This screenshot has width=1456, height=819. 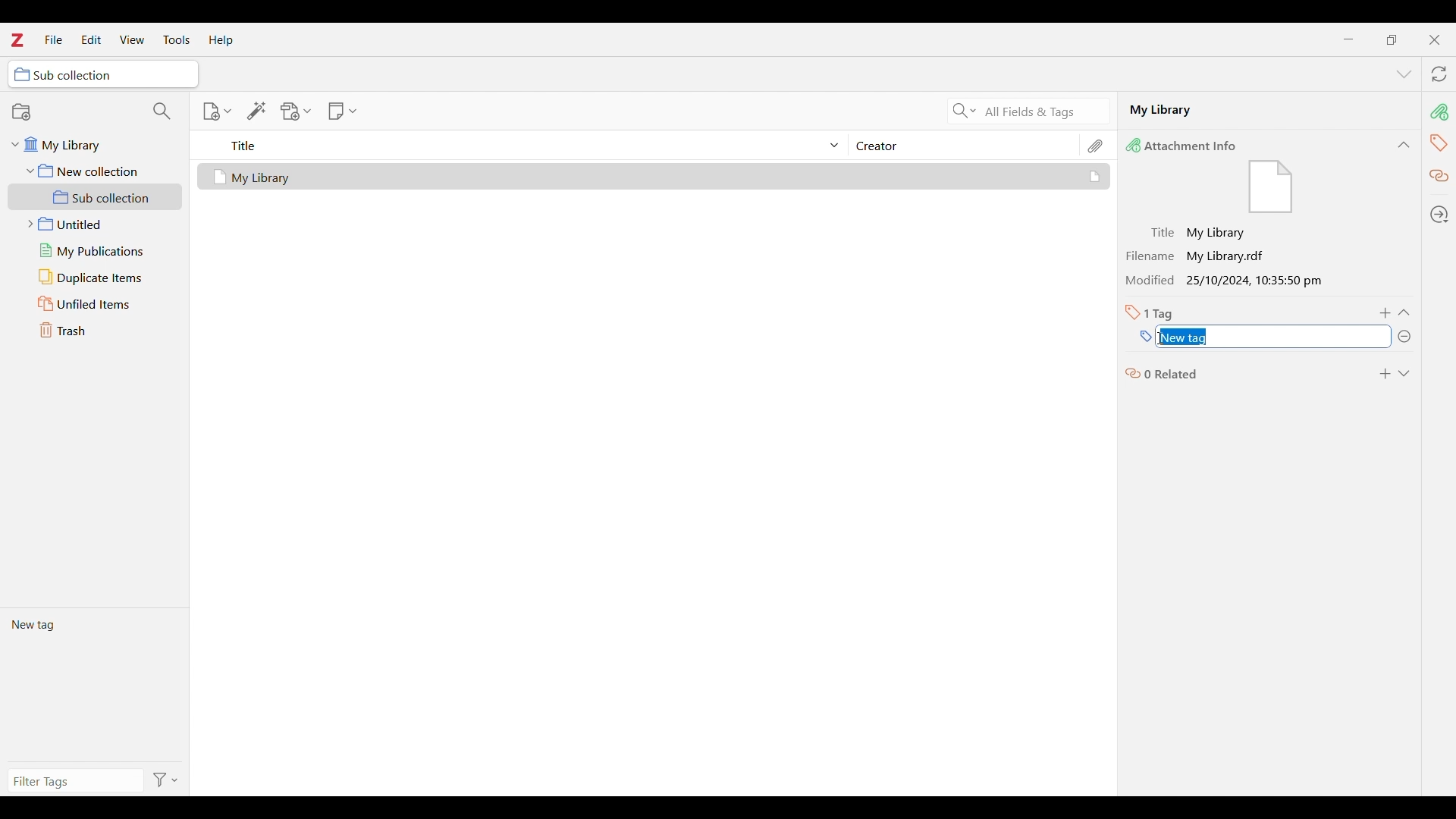 What do you see at coordinates (257, 111) in the screenshot?
I see `Add item/s by identifier` at bounding box center [257, 111].